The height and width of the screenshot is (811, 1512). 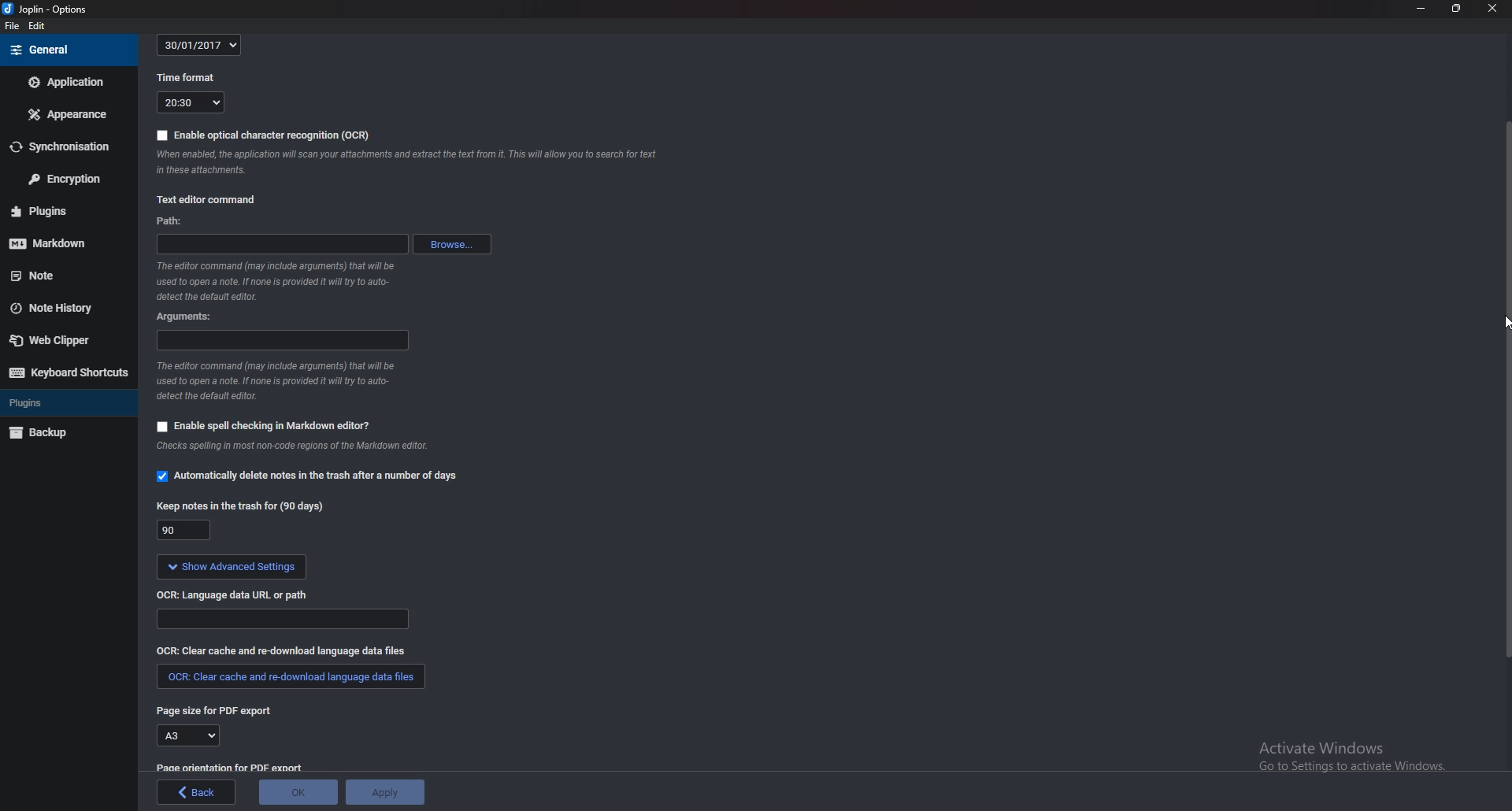 What do you see at coordinates (306, 476) in the screenshot?
I see `Automatically delete notes` at bounding box center [306, 476].